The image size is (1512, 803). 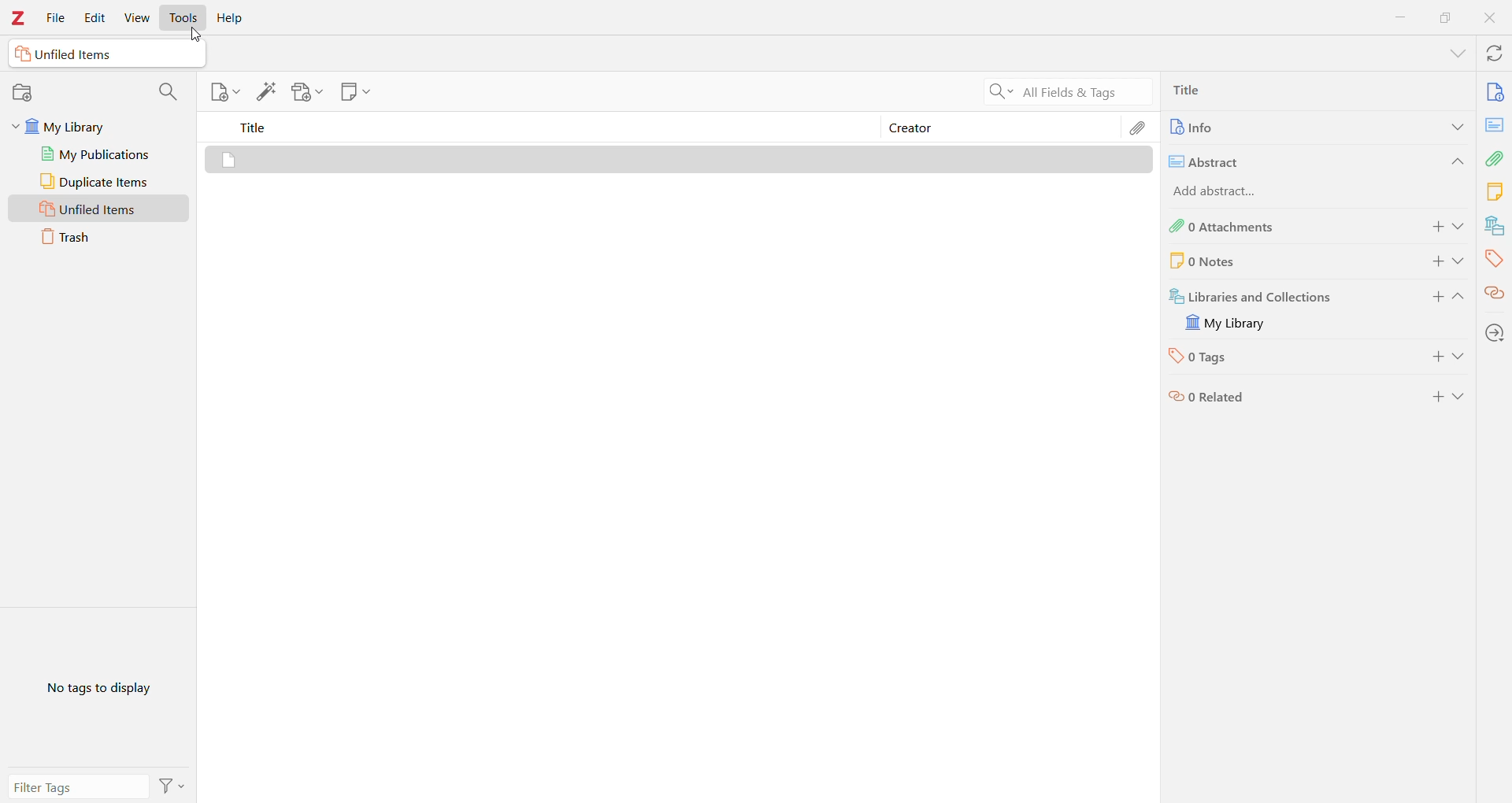 What do you see at coordinates (106, 155) in the screenshot?
I see `My Publications` at bounding box center [106, 155].